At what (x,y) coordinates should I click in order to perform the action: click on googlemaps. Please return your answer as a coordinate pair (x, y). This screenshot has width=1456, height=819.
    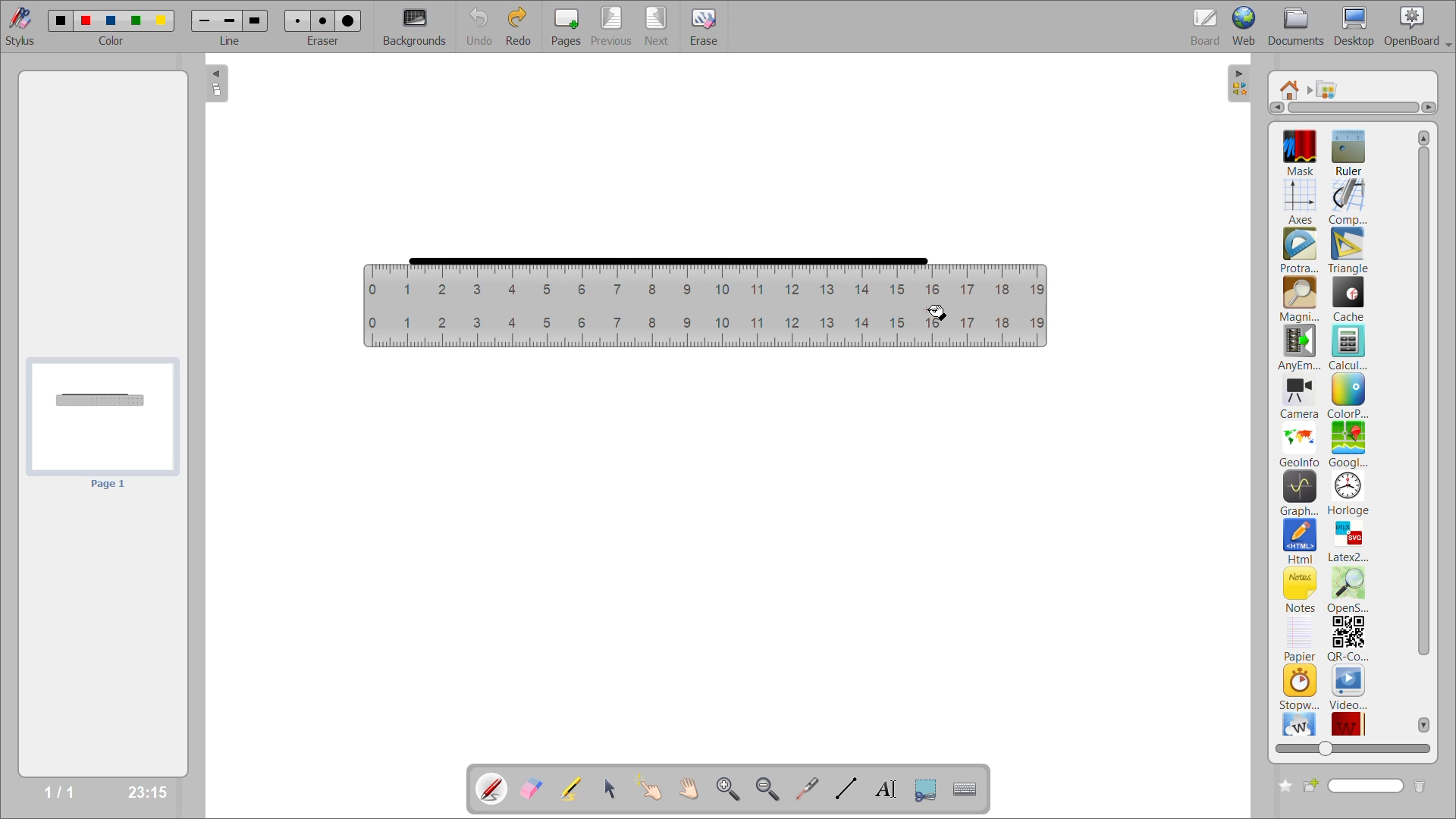
    Looking at the image, I should click on (1347, 444).